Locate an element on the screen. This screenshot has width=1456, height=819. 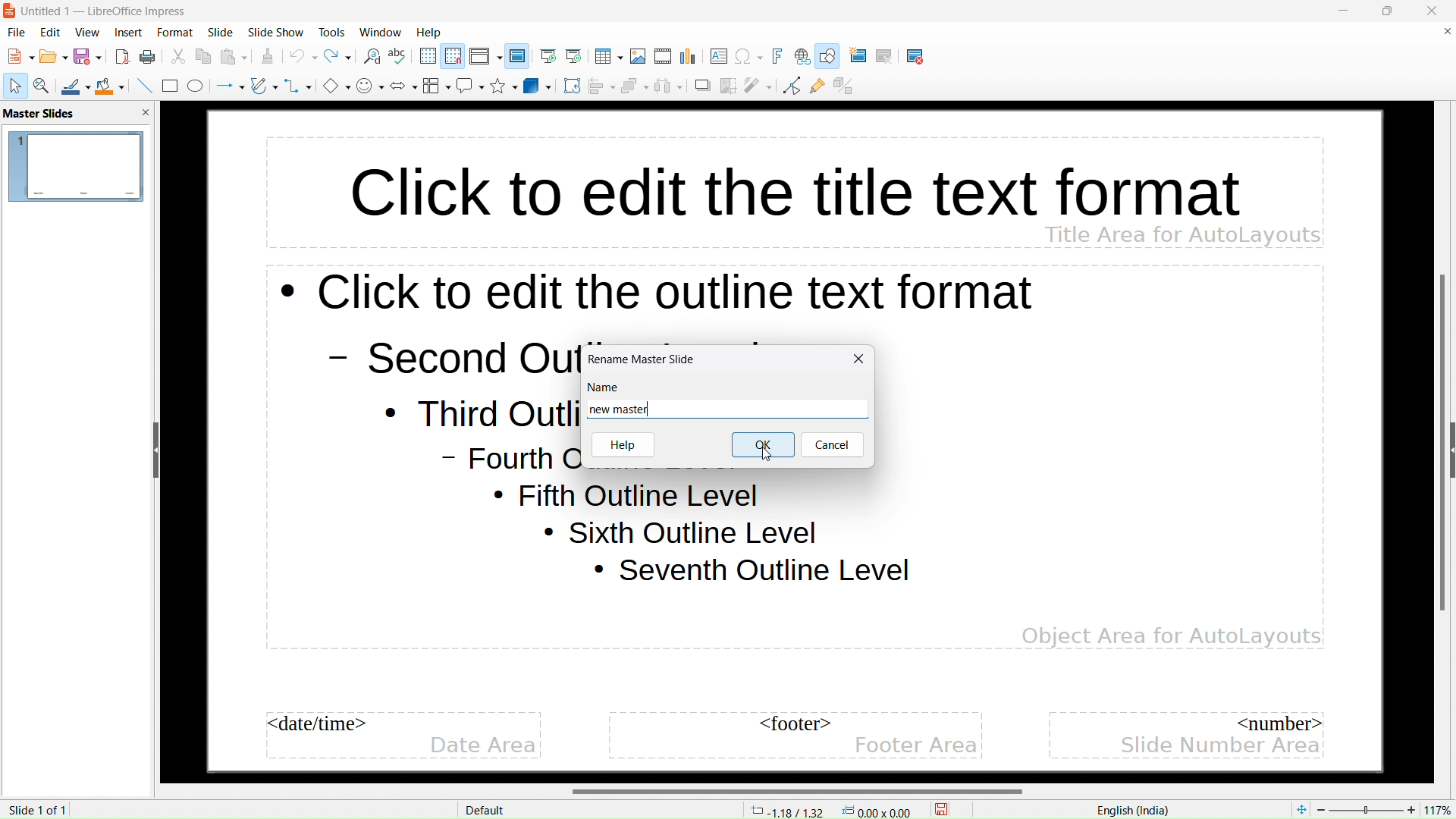
close pane is located at coordinates (145, 112).